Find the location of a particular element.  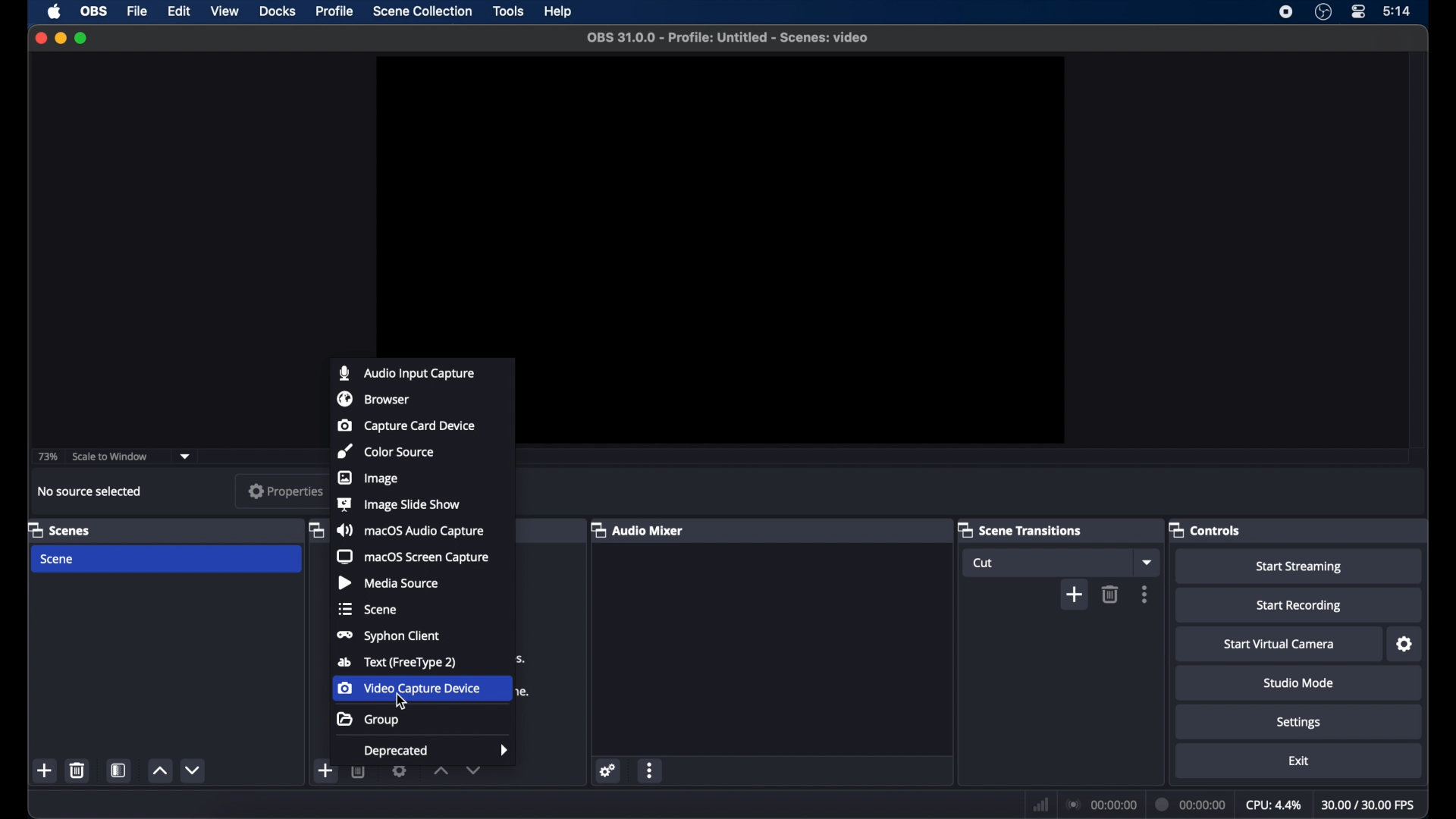

settings is located at coordinates (607, 770).